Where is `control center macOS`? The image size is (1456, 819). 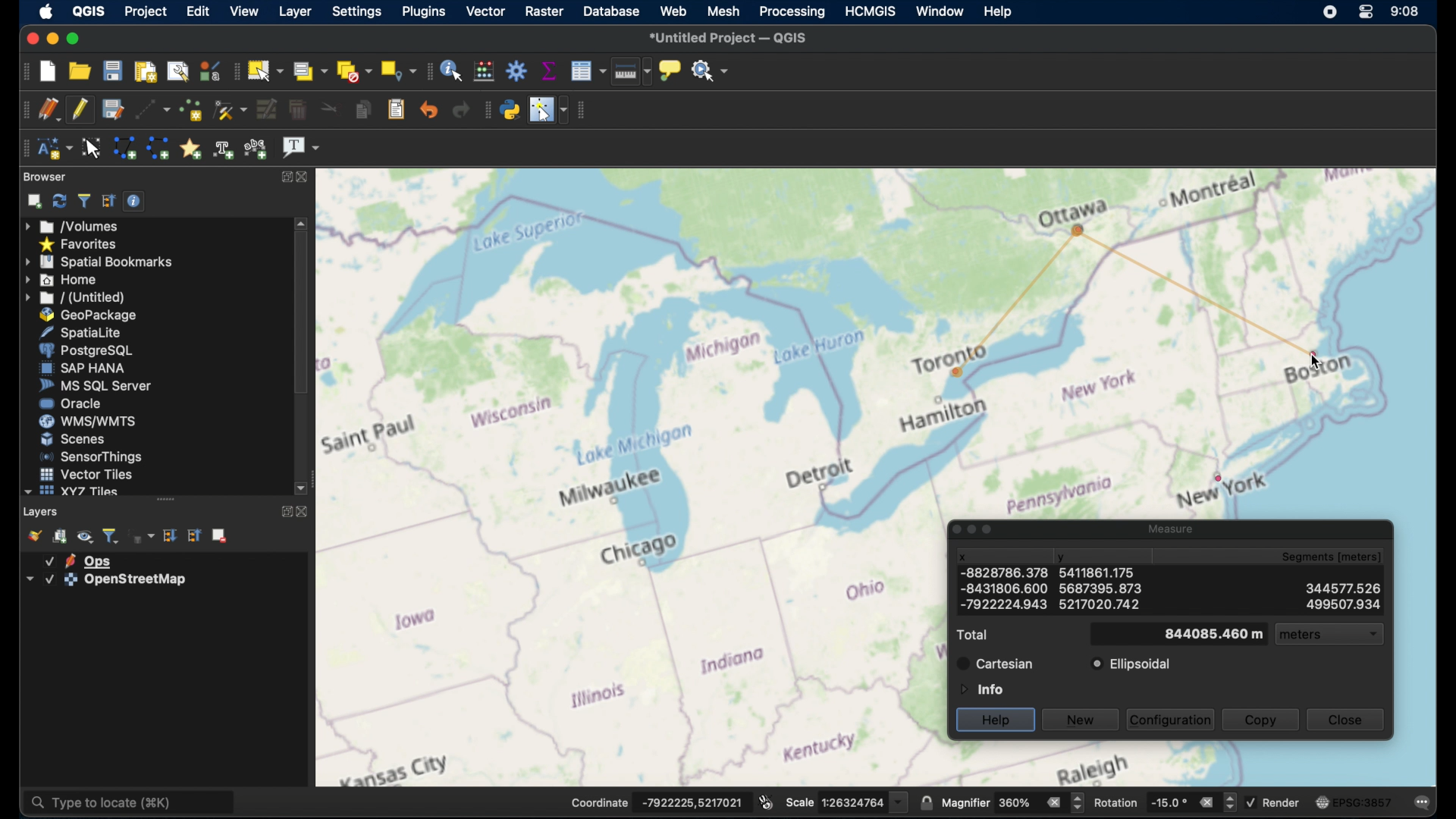 control center macOS is located at coordinates (1364, 13).